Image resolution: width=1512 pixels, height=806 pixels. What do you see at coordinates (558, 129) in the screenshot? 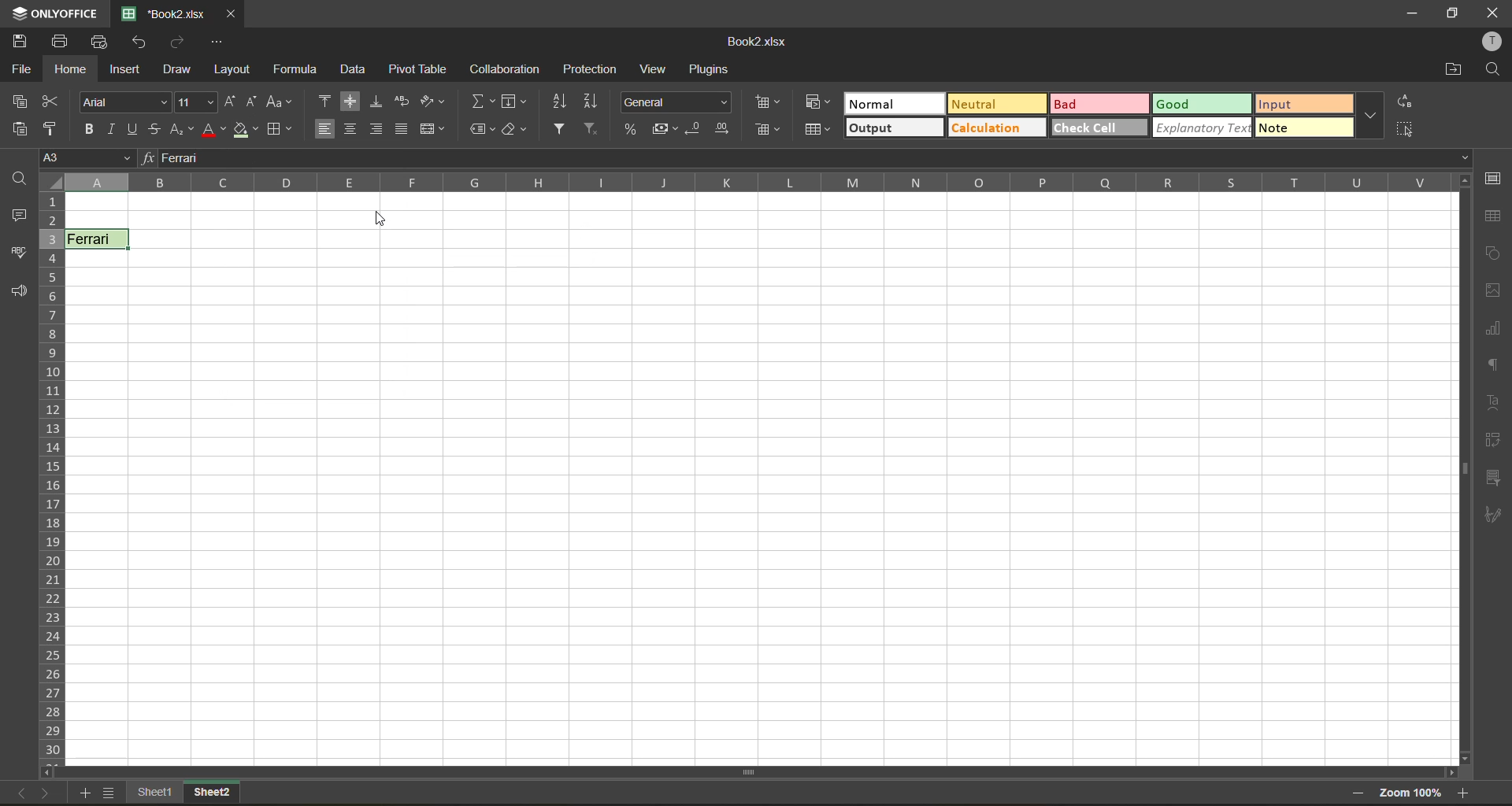
I see `filter` at bounding box center [558, 129].